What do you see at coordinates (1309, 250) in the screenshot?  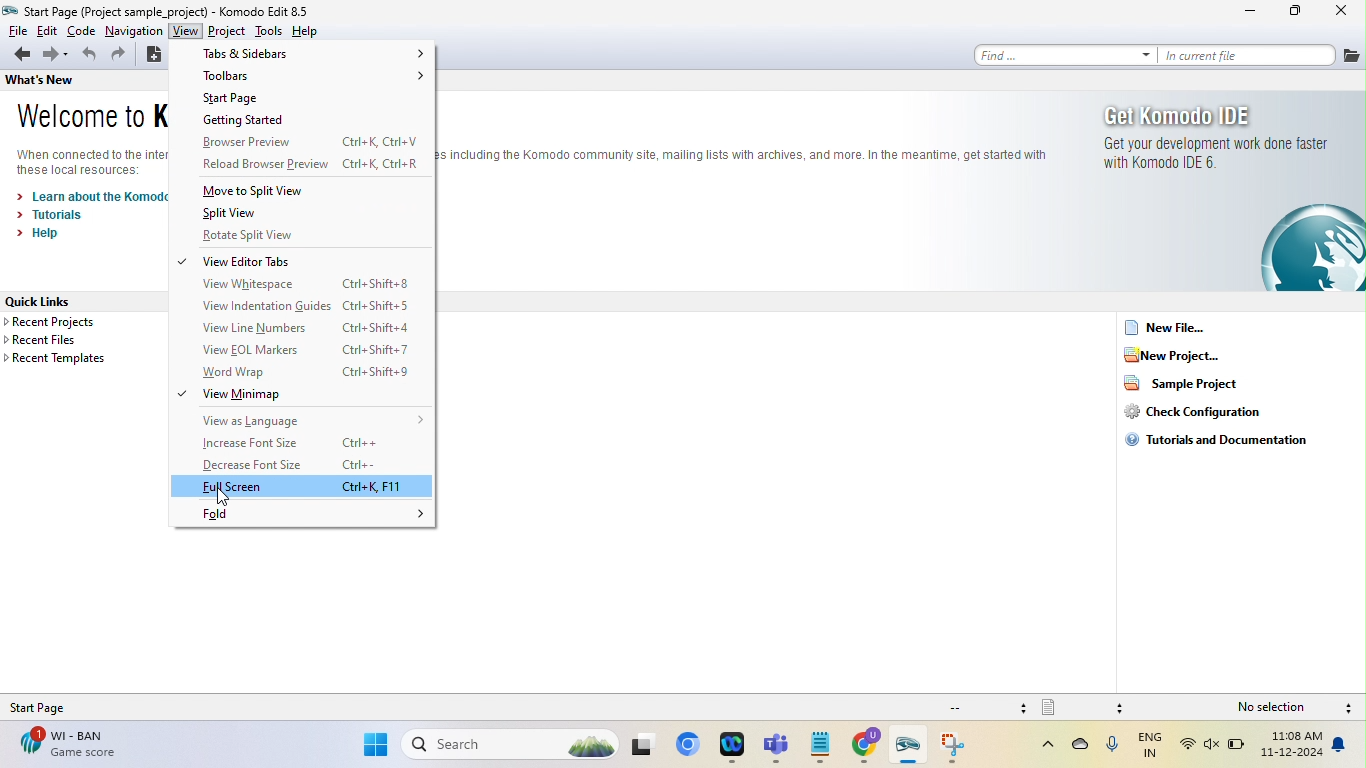 I see `globe icon` at bounding box center [1309, 250].